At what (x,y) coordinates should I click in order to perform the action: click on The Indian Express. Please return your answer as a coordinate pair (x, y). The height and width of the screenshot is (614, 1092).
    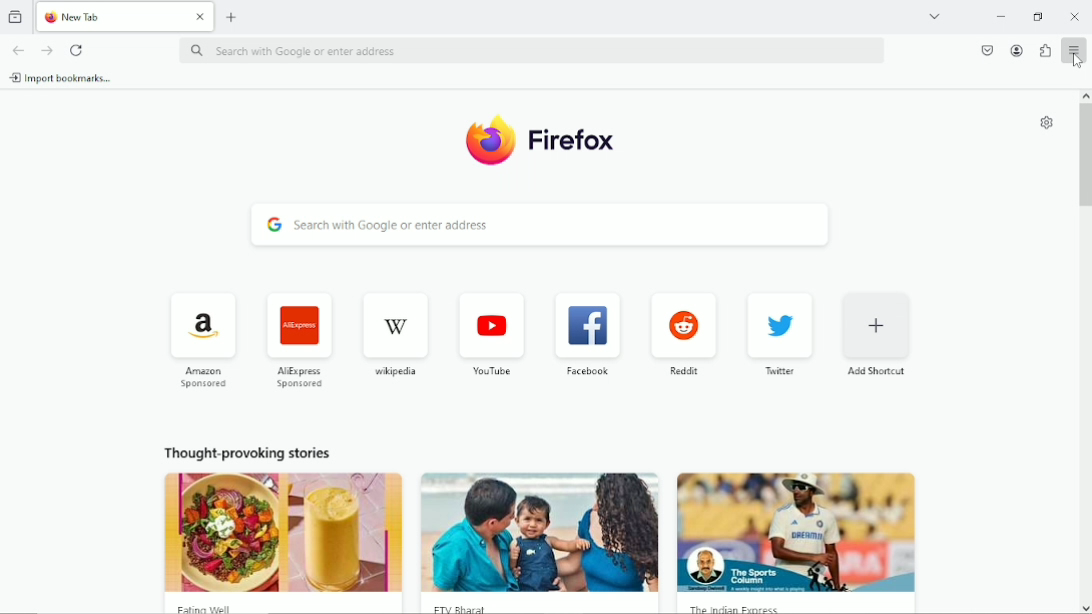
    Looking at the image, I should click on (796, 606).